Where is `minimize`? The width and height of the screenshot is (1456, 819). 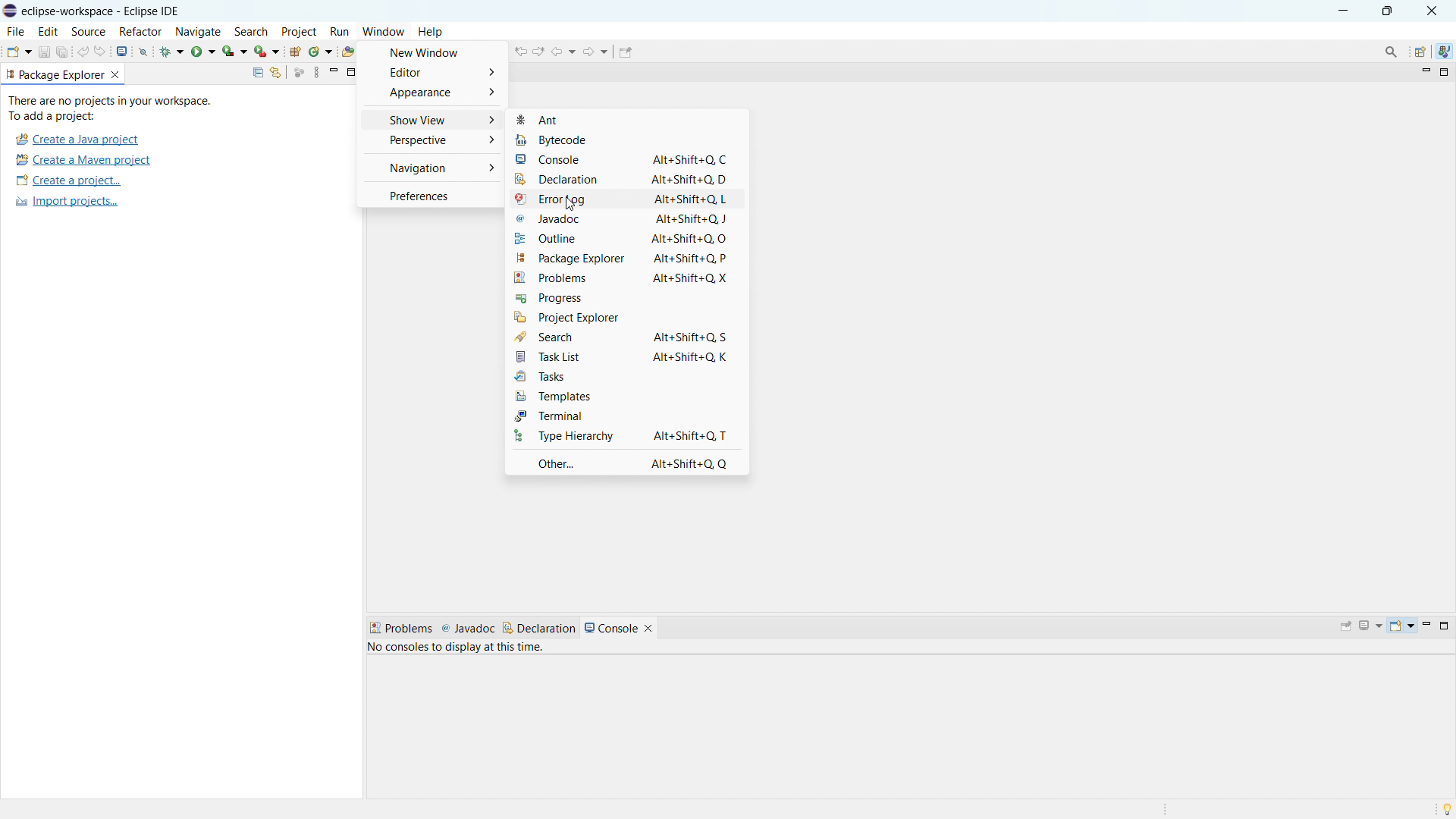
minimize is located at coordinates (1426, 69).